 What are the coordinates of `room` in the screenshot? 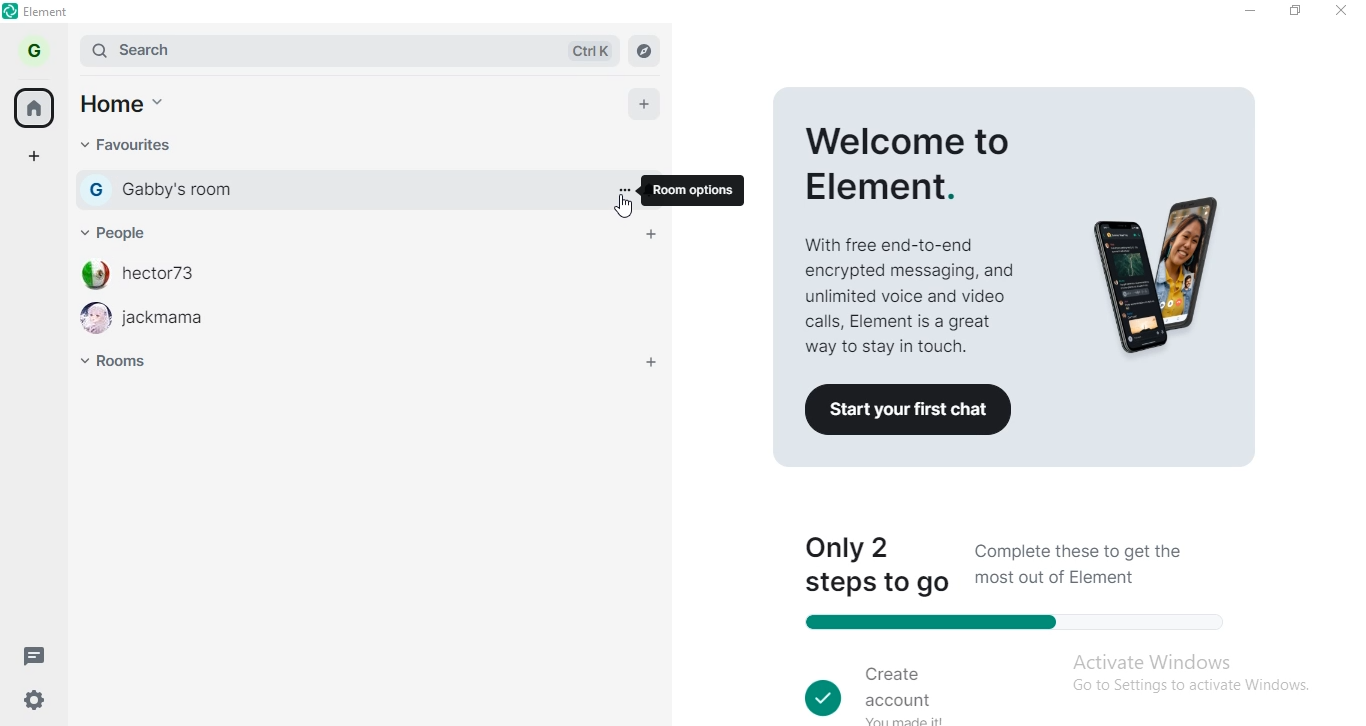 It's located at (126, 369).